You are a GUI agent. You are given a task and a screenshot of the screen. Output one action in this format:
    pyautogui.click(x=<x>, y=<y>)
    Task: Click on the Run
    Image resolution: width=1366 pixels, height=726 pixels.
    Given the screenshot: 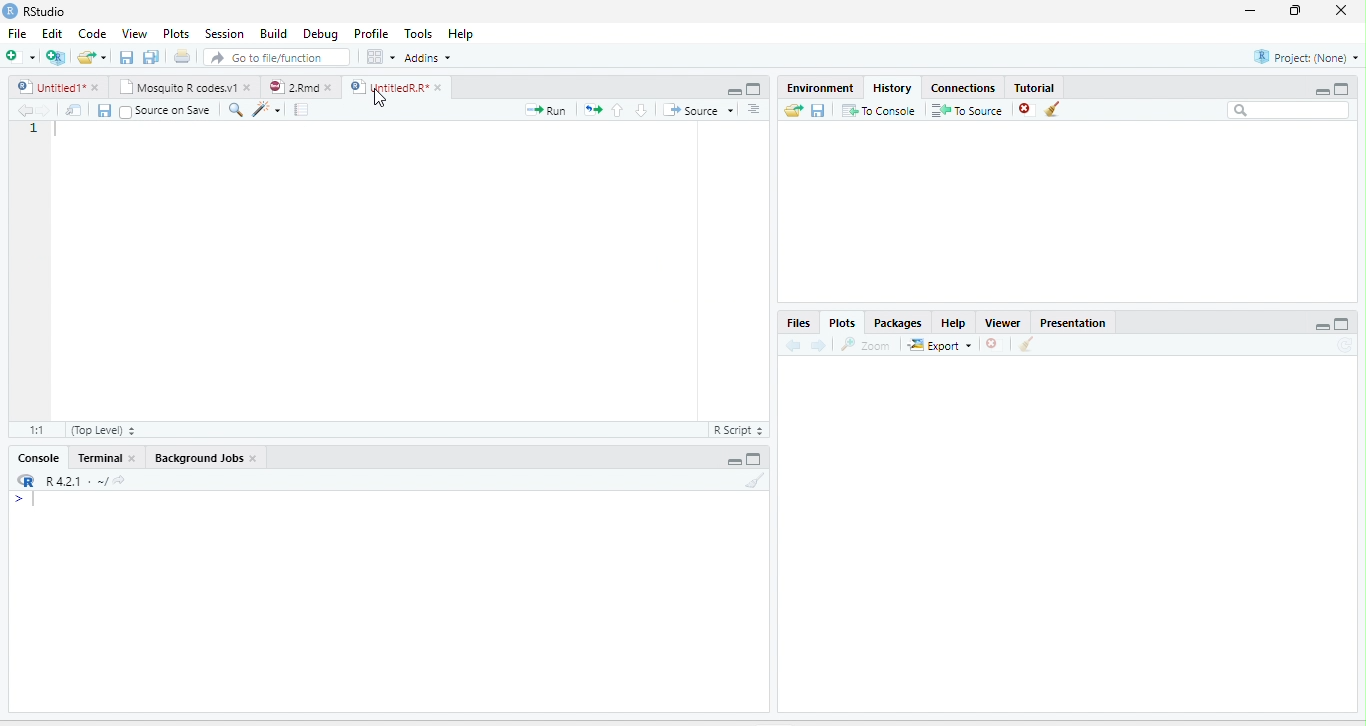 What is the action you would take?
    pyautogui.click(x=546, y=110)
    